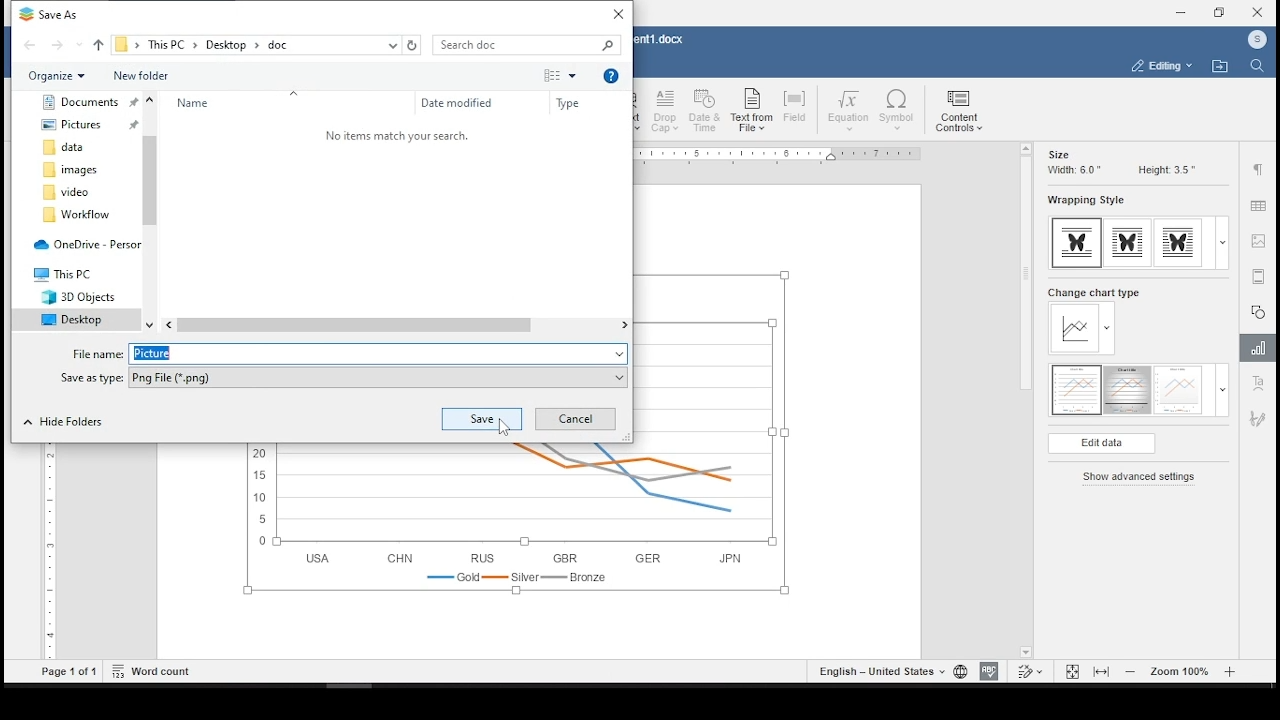 The width and height of the screenshot is (1280, 720). What do you see at coordinates (666, 111) in the screenshot?
I see `drop cap` at bounding box center [666, 111].